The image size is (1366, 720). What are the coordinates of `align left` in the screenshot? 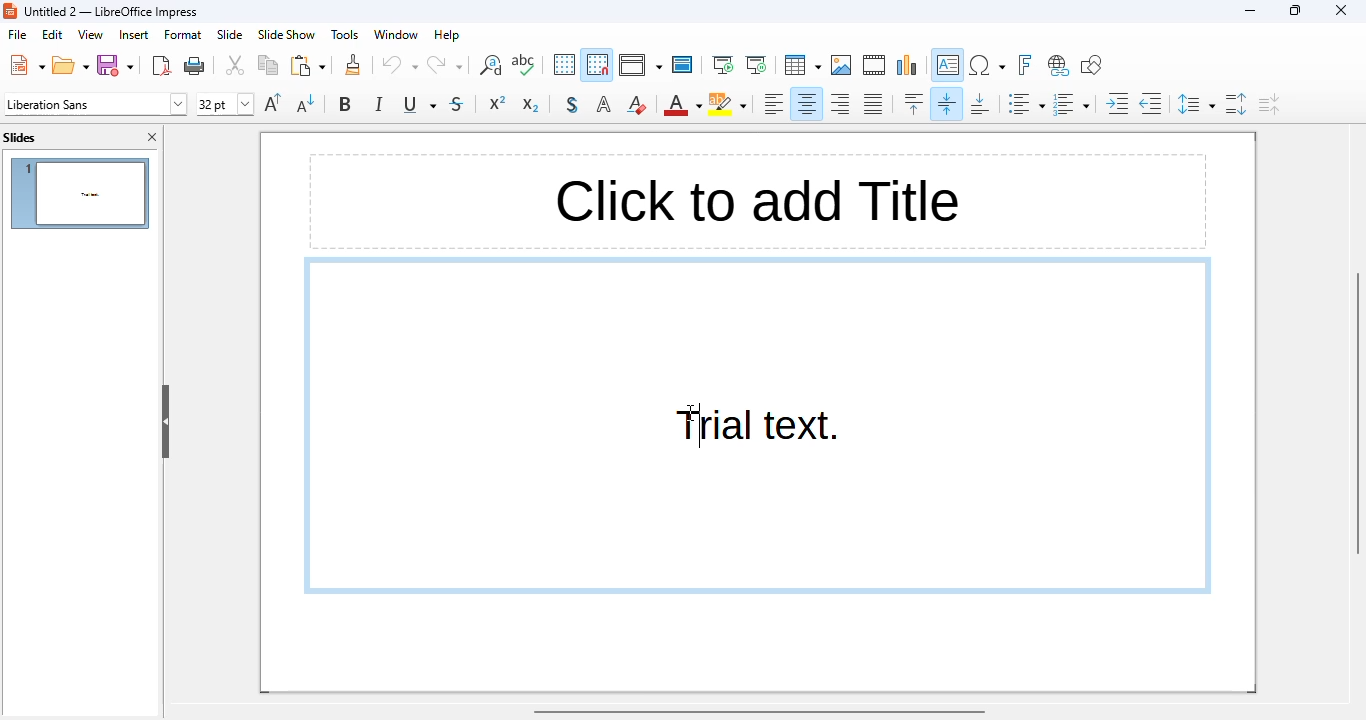 It's located at (772, 103).